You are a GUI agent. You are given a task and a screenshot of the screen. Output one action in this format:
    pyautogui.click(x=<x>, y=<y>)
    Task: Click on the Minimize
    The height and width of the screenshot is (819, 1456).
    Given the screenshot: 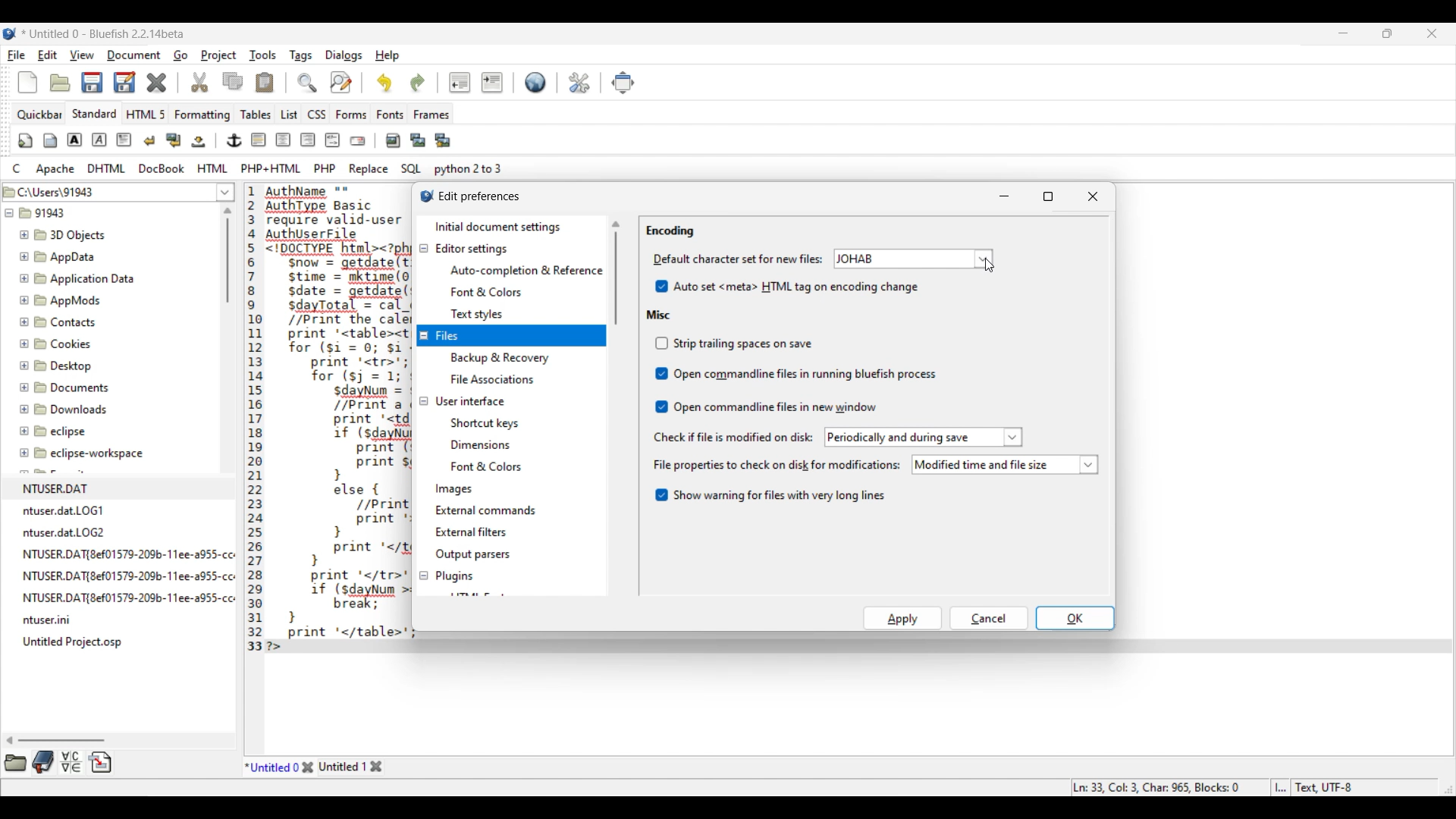 What is the action you would take?
    pyautogui.click(x=1007, y=196)
    